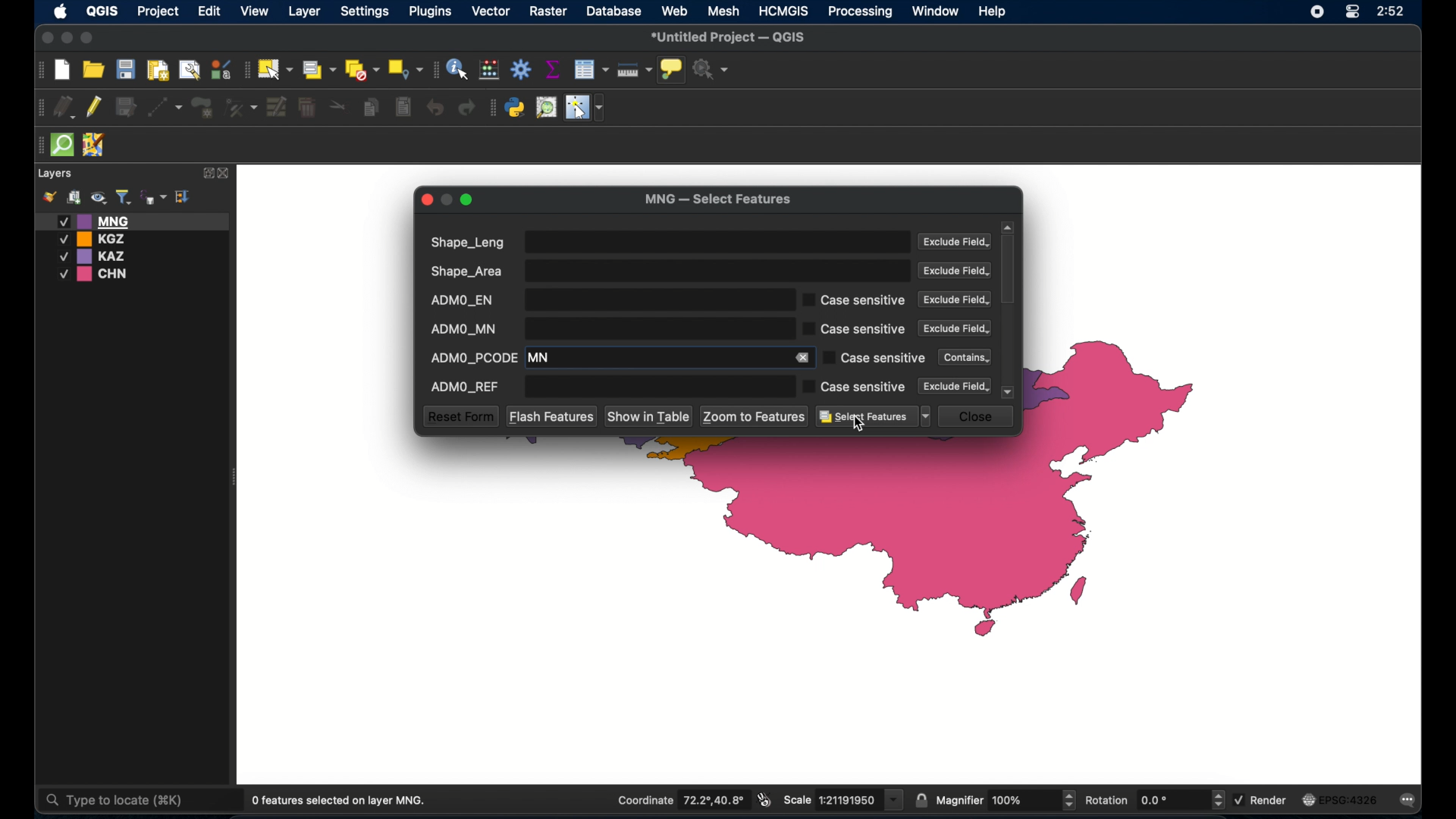 This screenshot has width=1456, height=819. What do you see at coordinates (805, 358) in the screenshot?
I see `remove` at bounding box center [805, 358].